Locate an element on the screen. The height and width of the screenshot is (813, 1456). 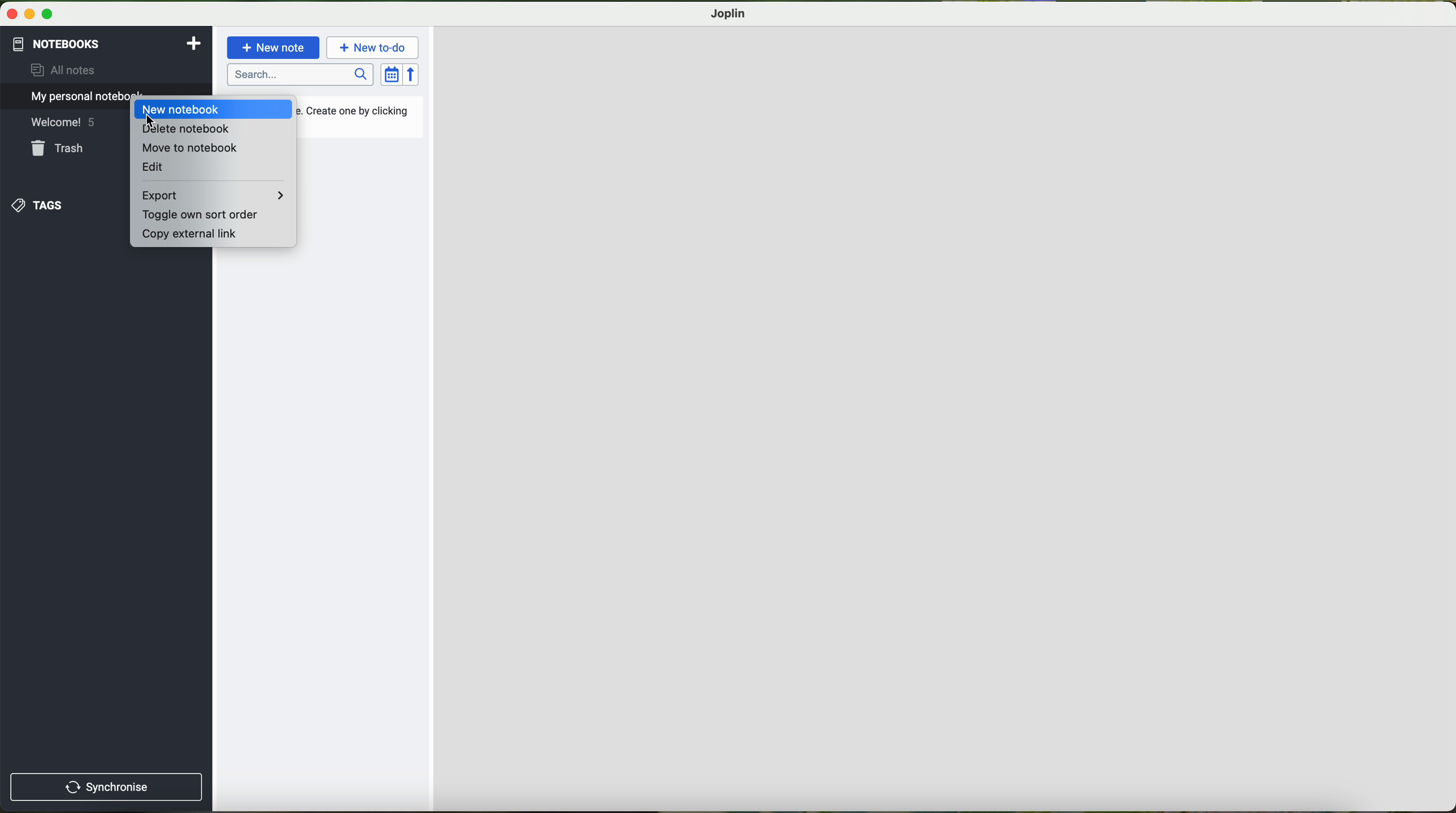
 is located at coordinates (391, 75).